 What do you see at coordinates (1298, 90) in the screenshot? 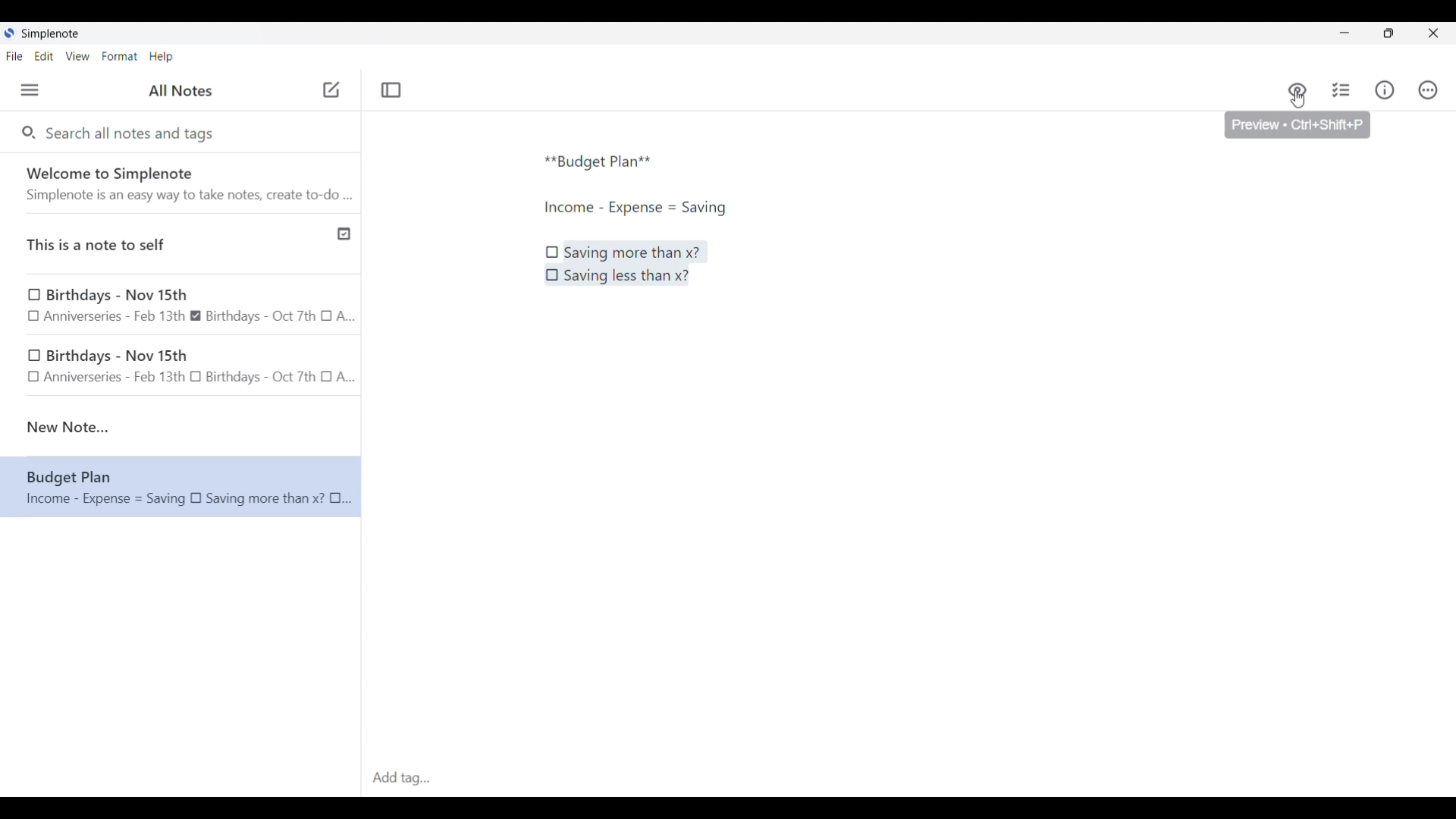
I see `Toggle to see markdown preview` at bounding box center [1298, 90].